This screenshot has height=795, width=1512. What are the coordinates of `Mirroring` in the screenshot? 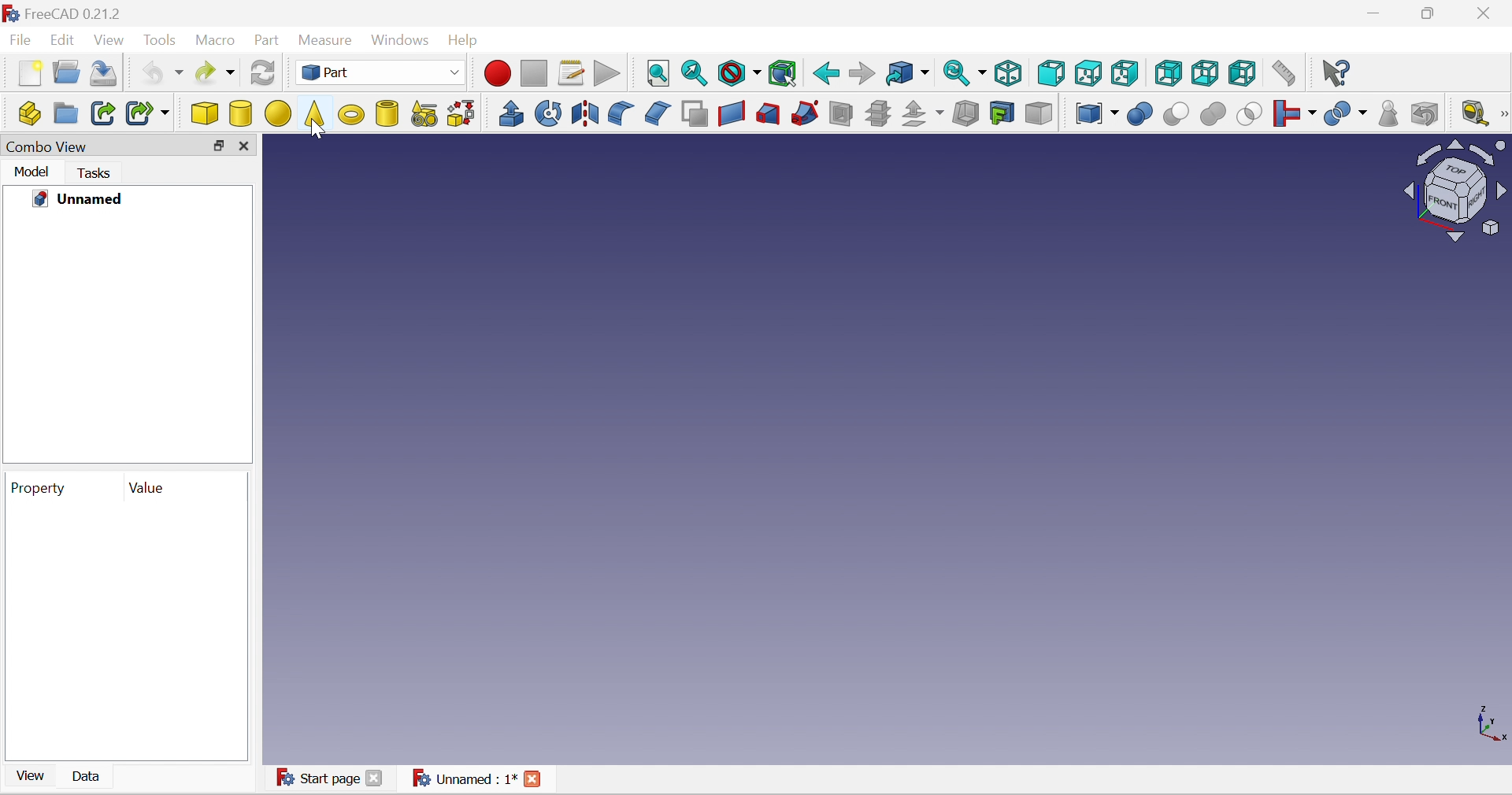 It's located at (586, 114).